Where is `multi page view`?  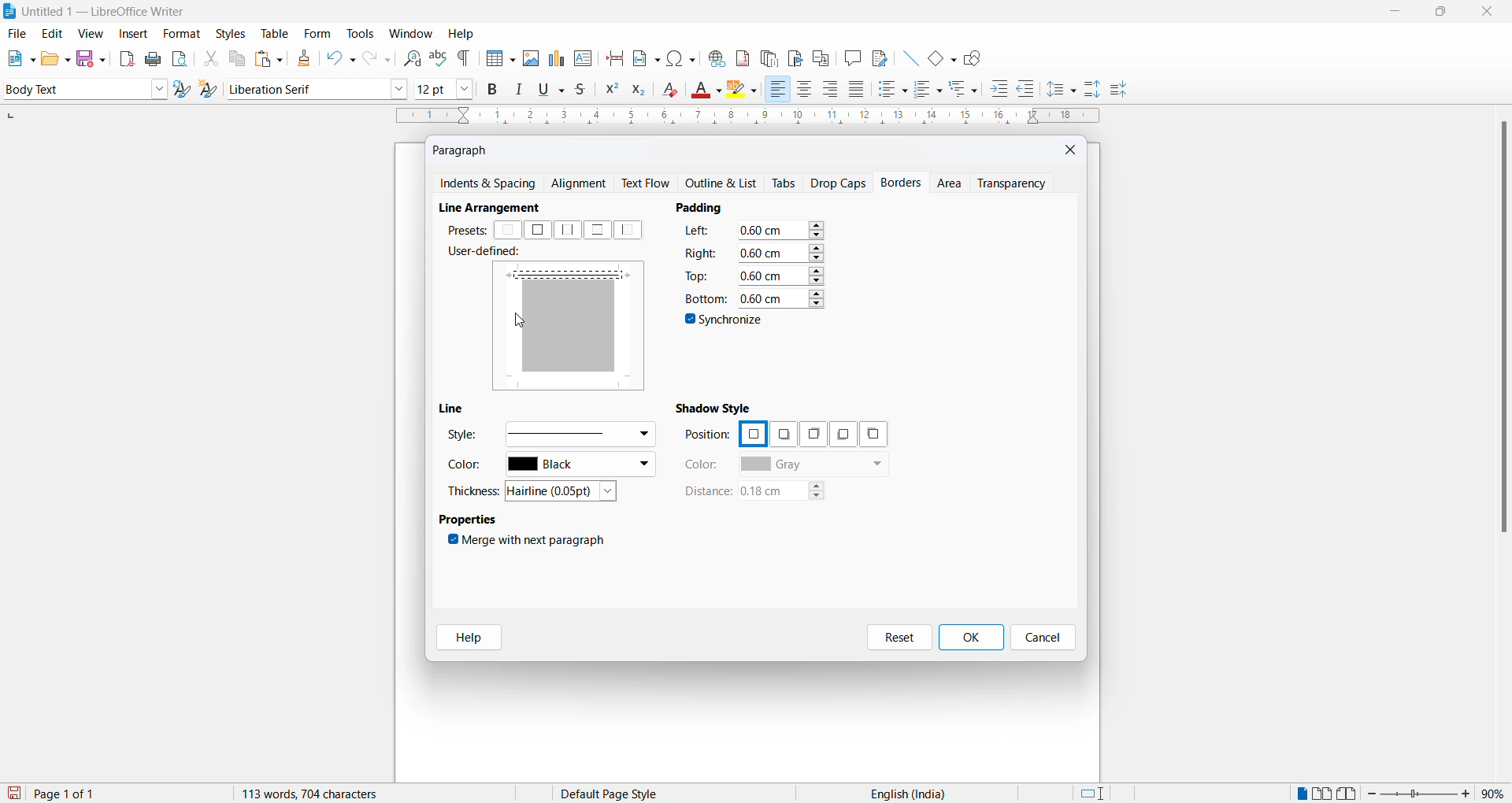 multi page view is located at coordinates (1324, 794).